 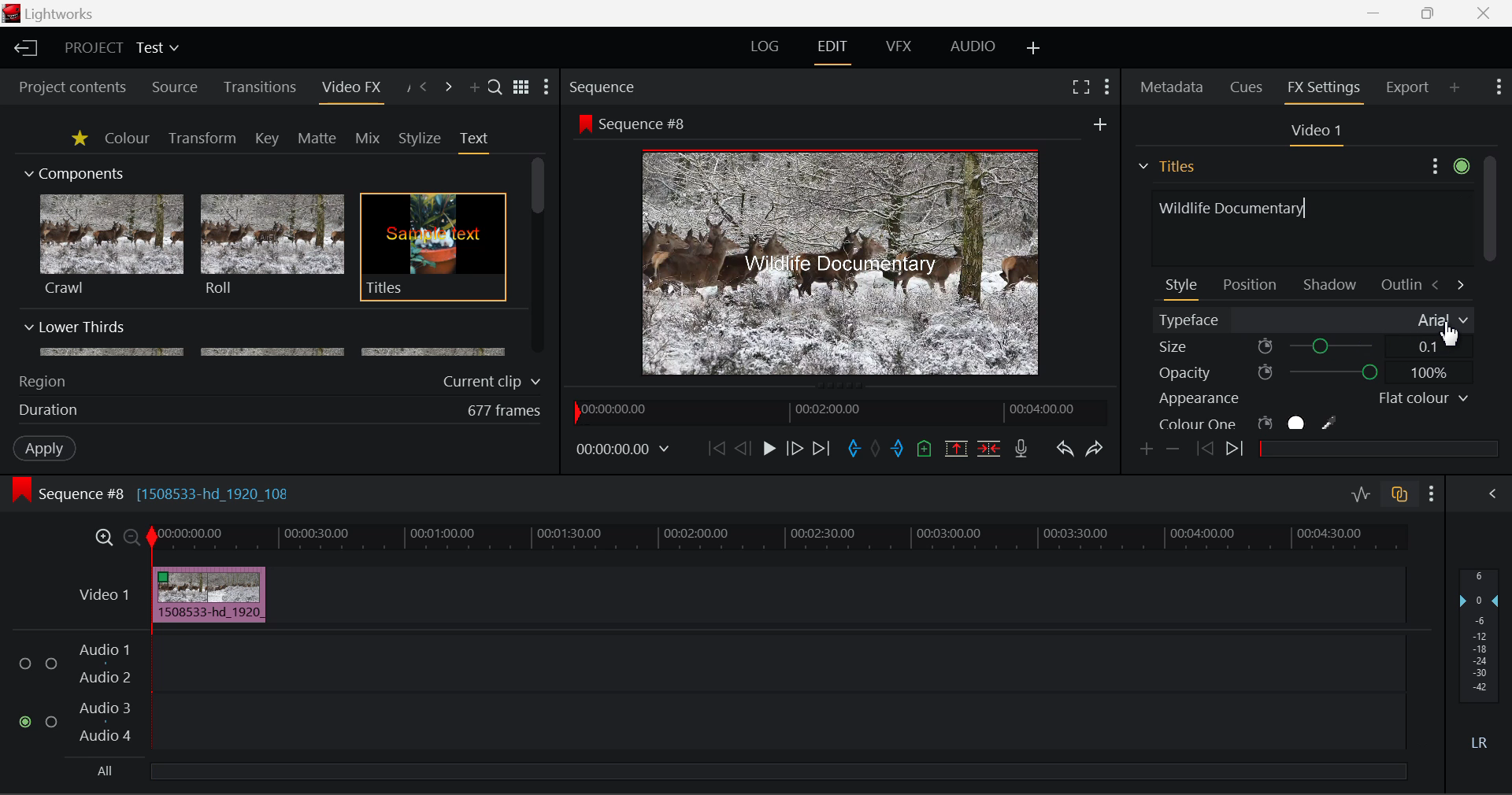 I want to click on Project Timeline Navigator, so click(x=839, y=409).